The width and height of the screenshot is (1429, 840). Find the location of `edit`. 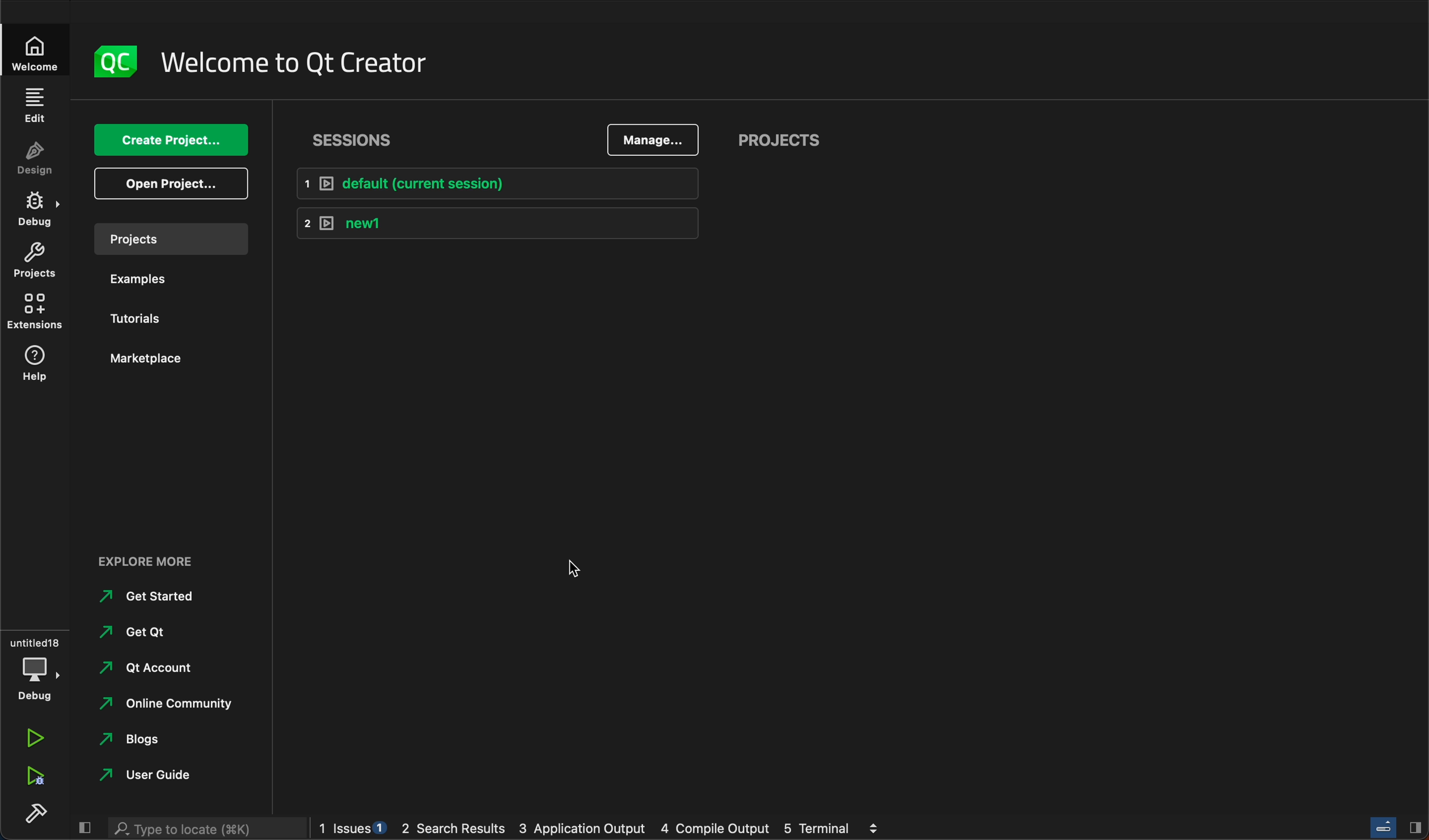

edit is located at coordinates (36, 105).